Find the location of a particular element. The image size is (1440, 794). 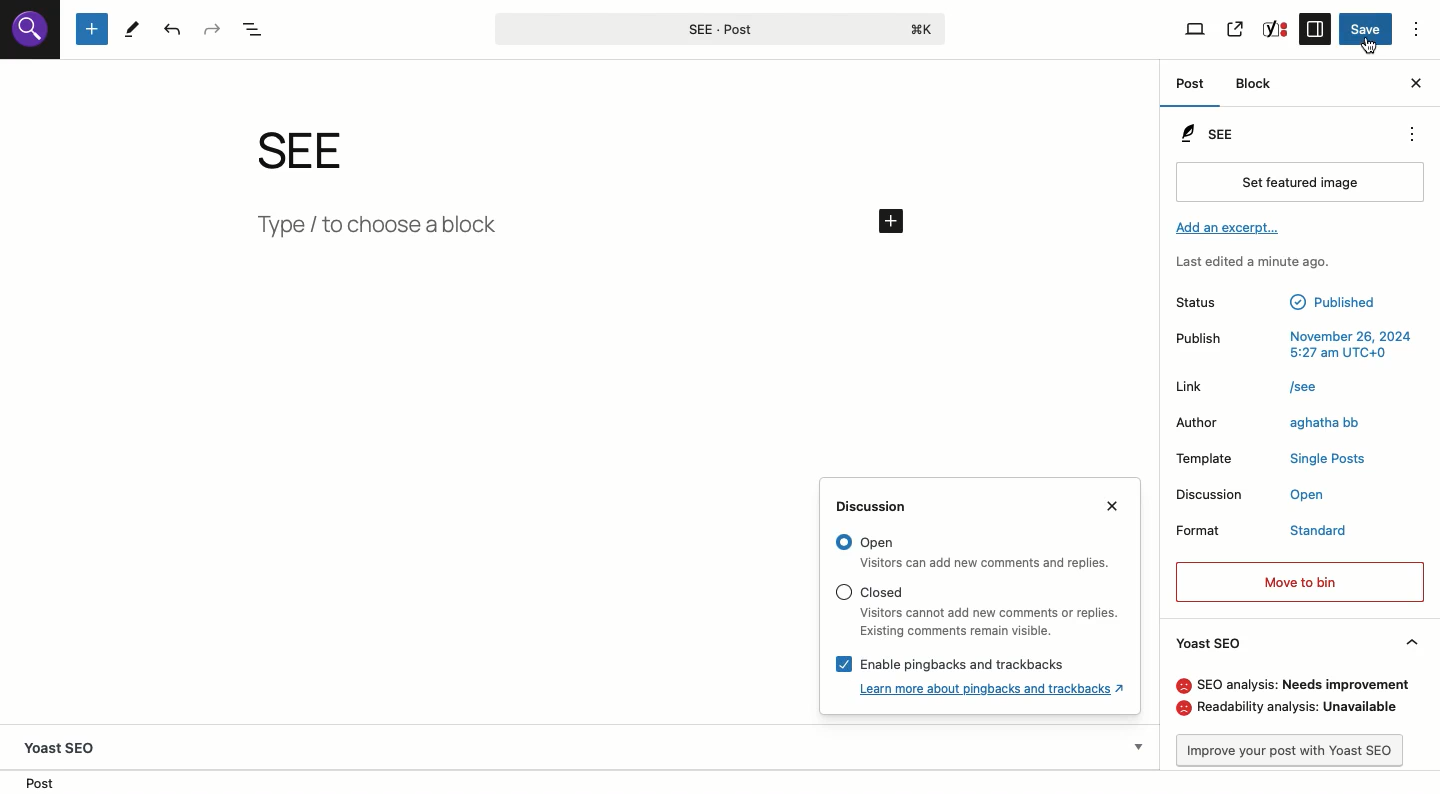

Close is located at coordinates (1416, 84).